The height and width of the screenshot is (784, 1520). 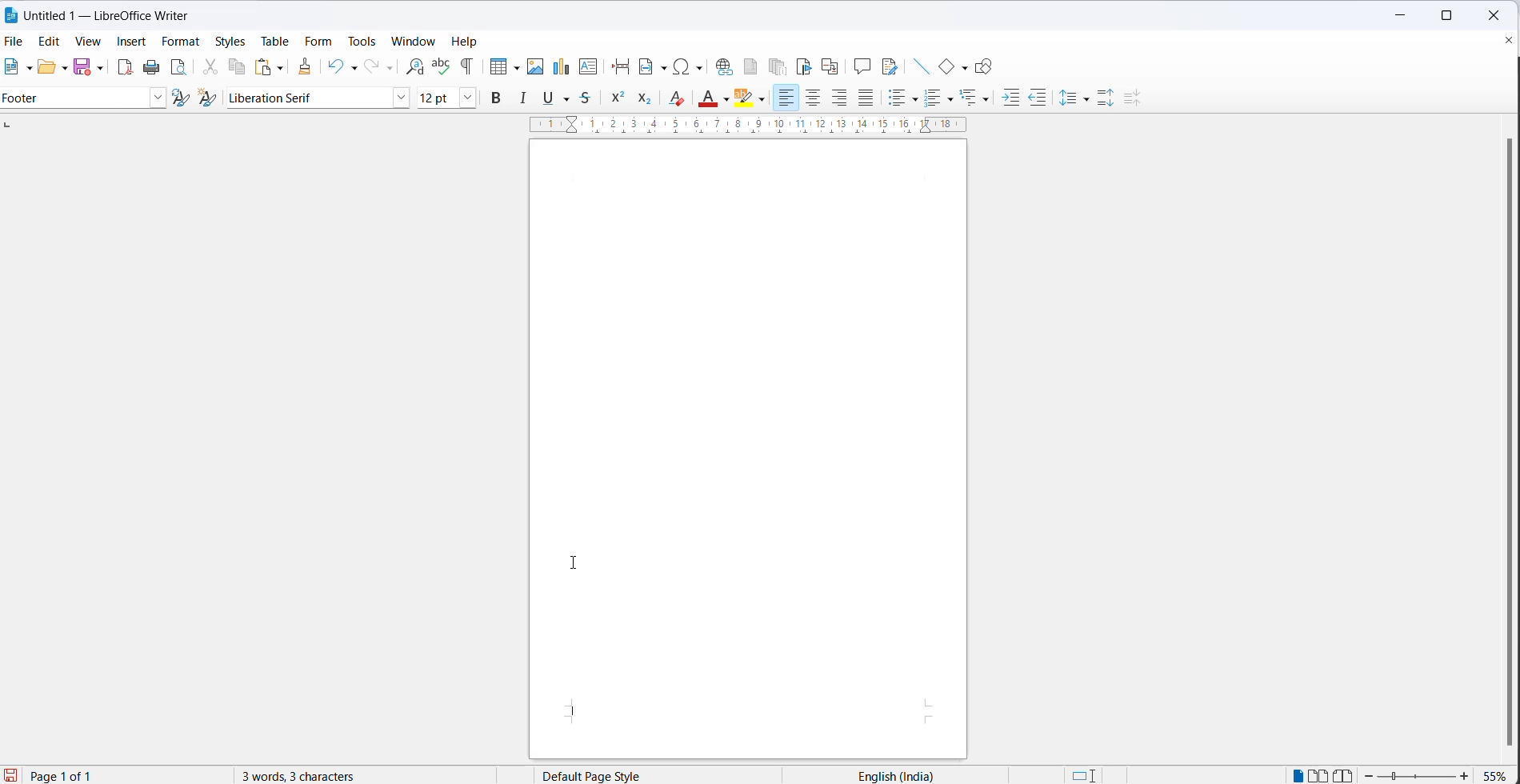 I want to click on file, so click(x=16, y=40).